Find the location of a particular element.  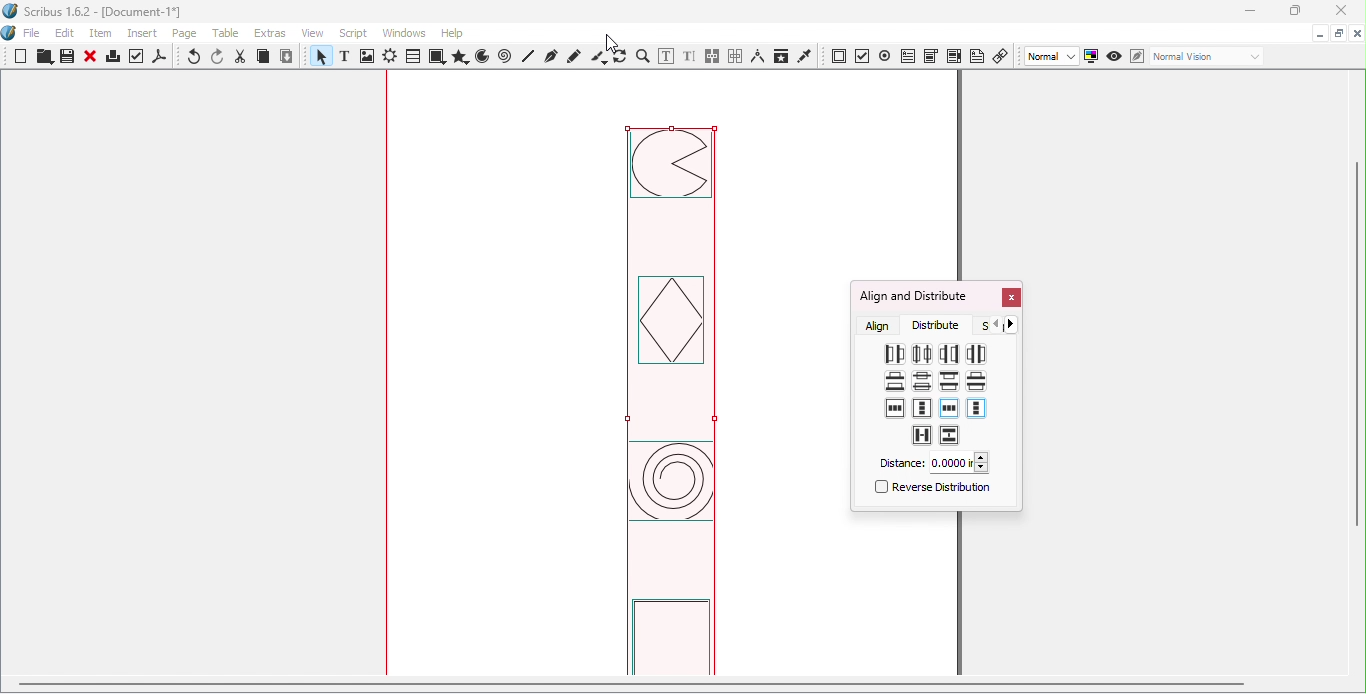

Make horizontal gaps between items equal is located at coordinates (977, 353).